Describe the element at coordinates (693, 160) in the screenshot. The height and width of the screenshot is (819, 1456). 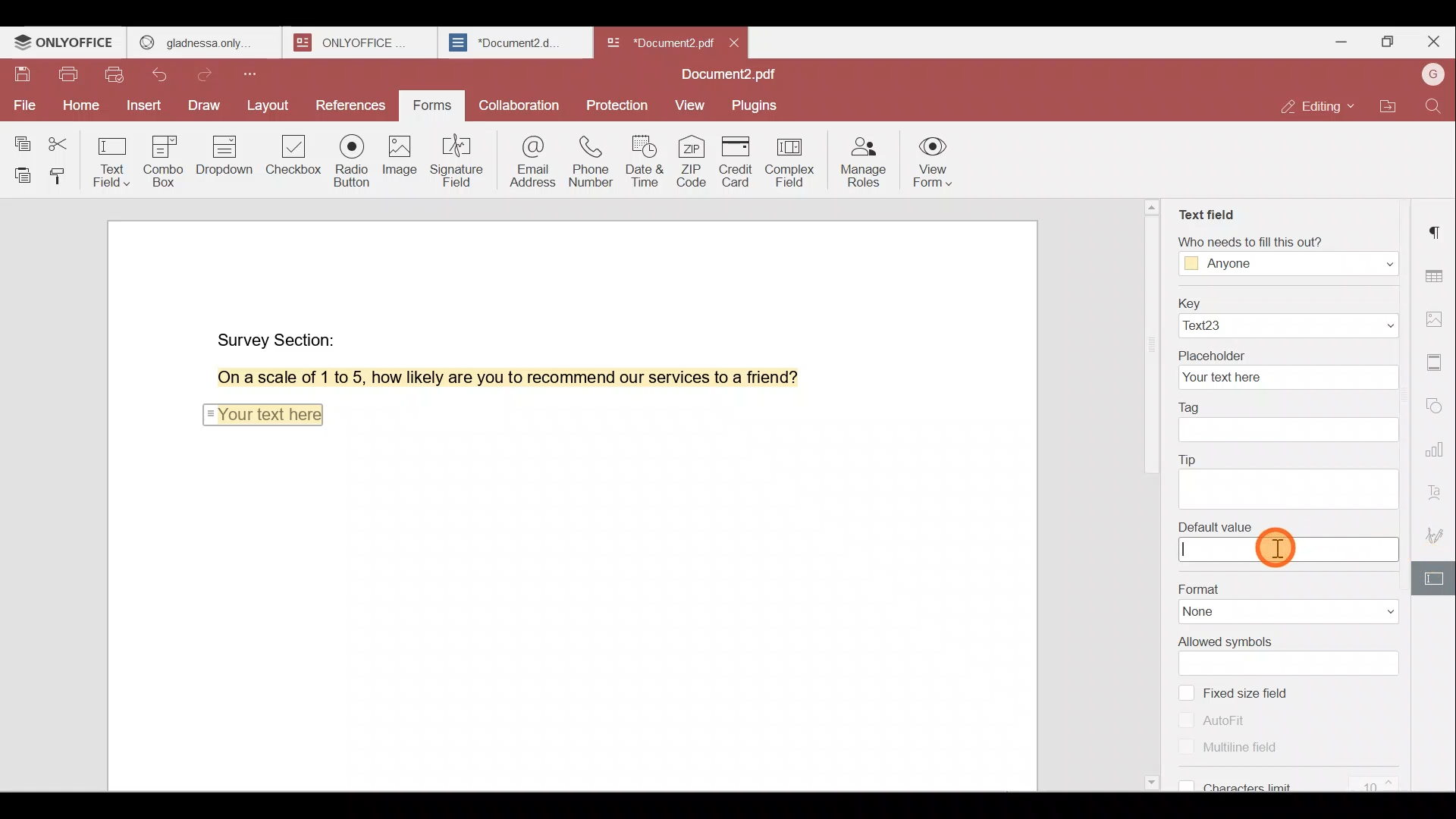
I see `ZIP code` at that location.